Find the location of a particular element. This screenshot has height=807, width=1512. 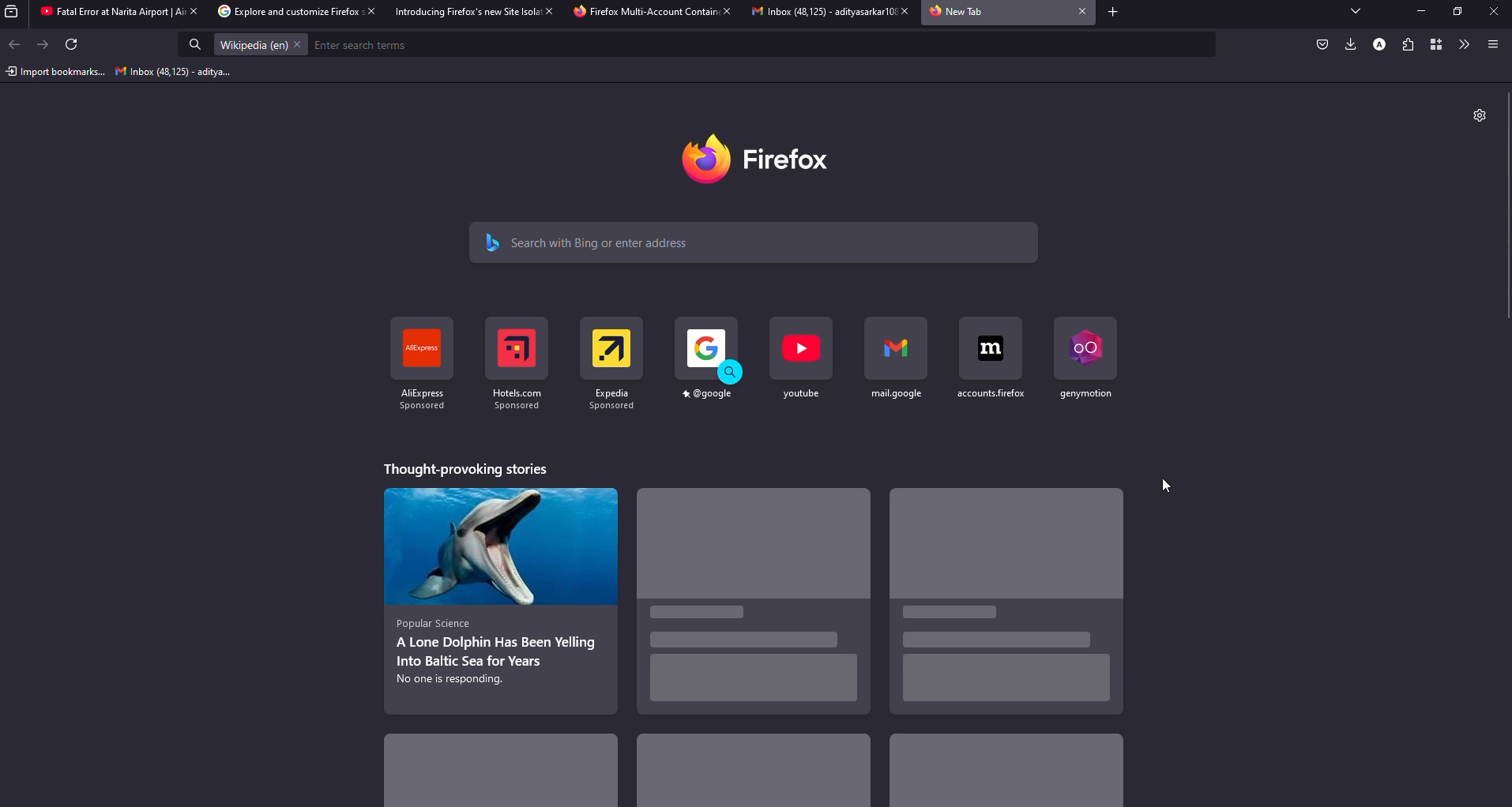

shortcut is located at coordinates (1083, 357).